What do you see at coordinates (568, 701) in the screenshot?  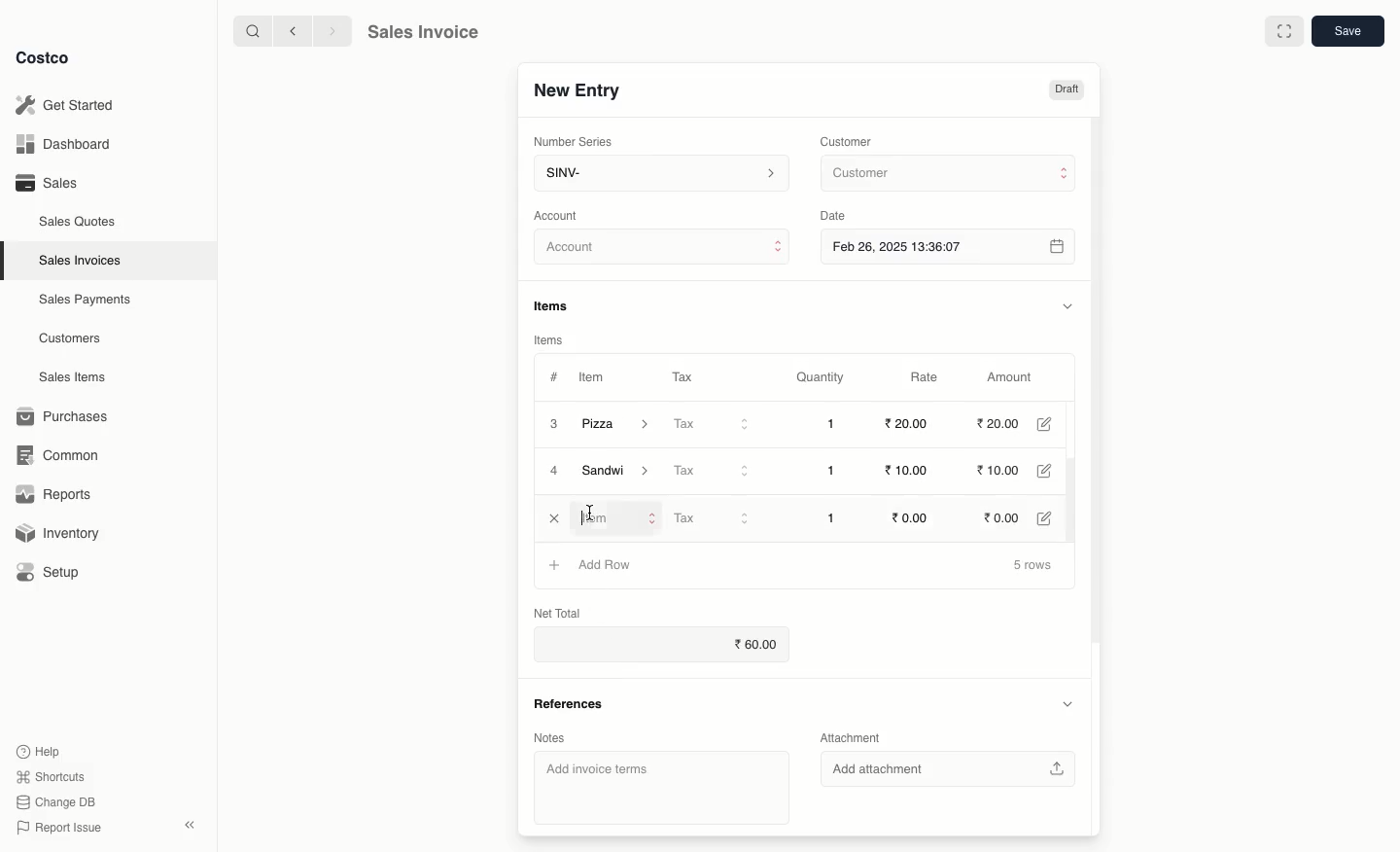 I see `References` at bounding box center [568, 701].